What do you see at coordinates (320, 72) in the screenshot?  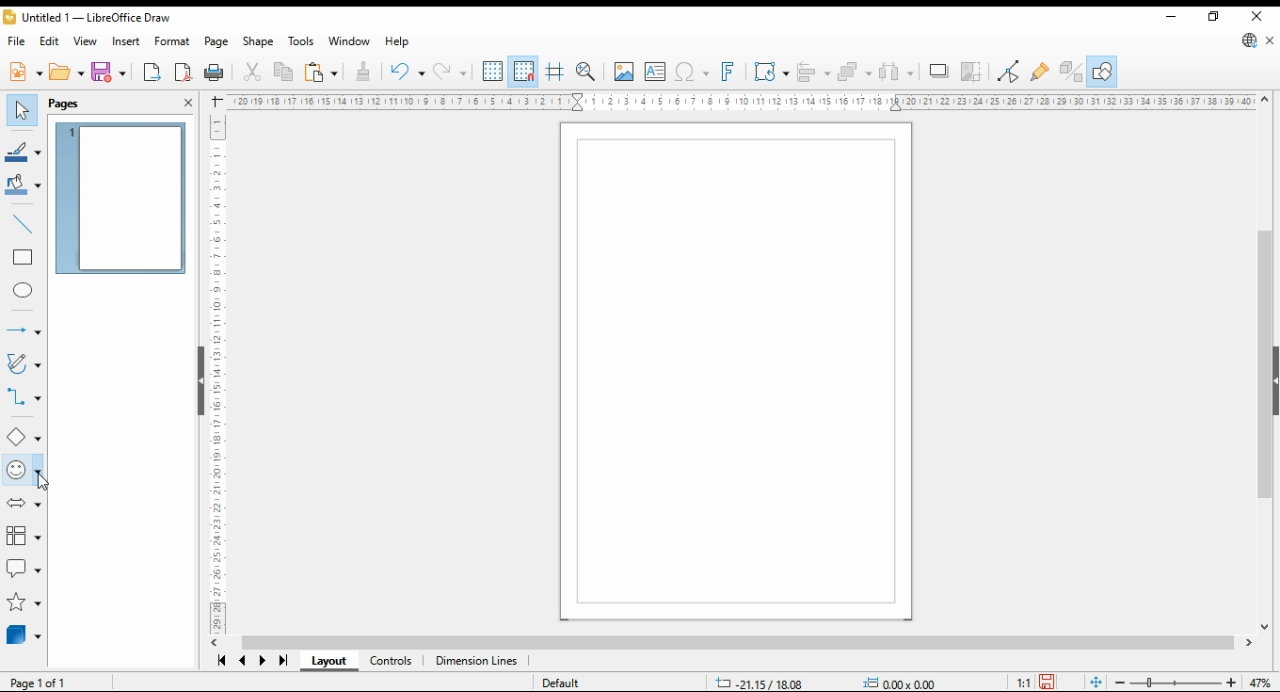 I see `paste` at bounding box center [320, 72].